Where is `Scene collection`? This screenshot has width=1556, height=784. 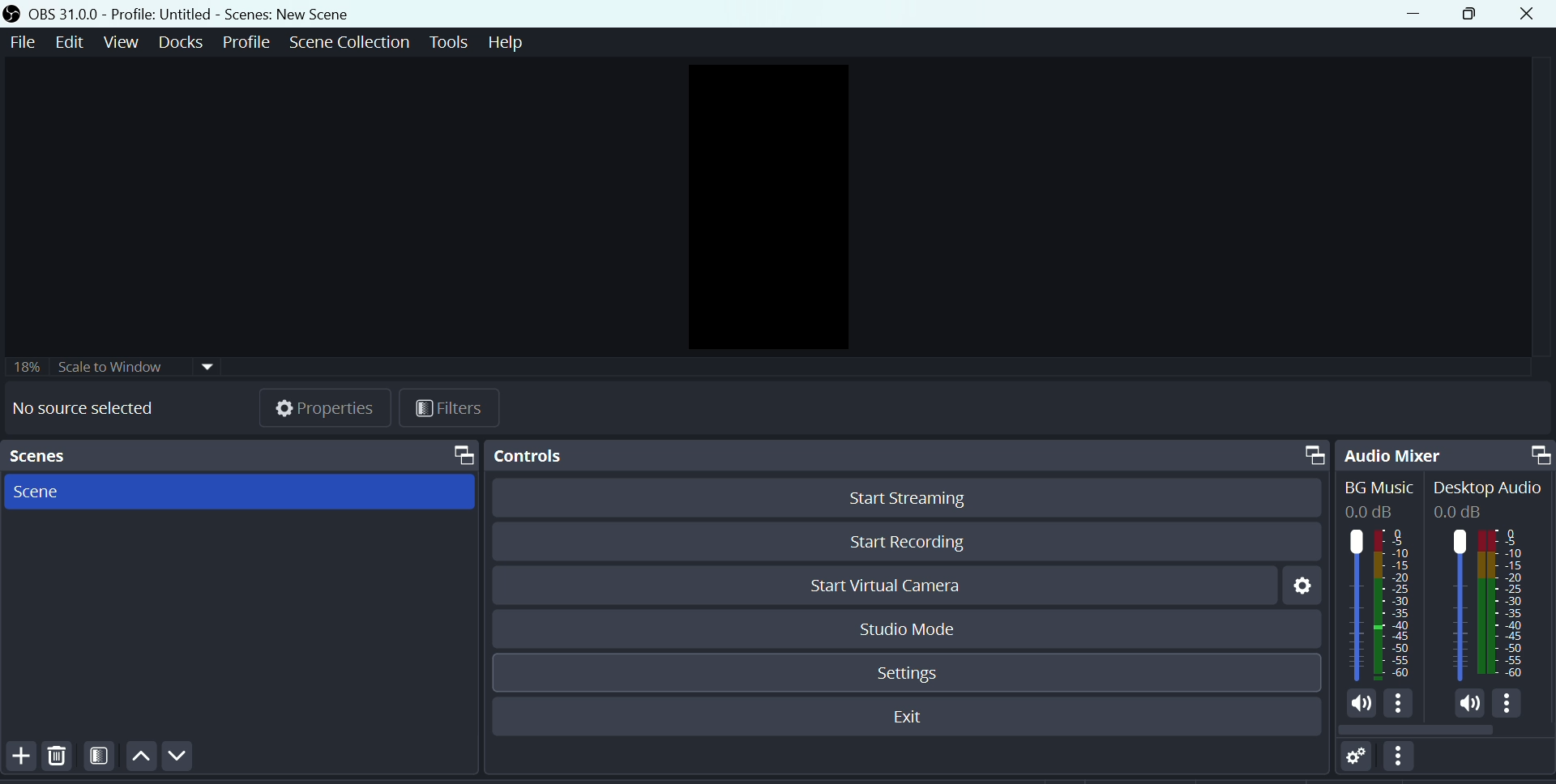
Scene collection is located at coordinates (348, 44).